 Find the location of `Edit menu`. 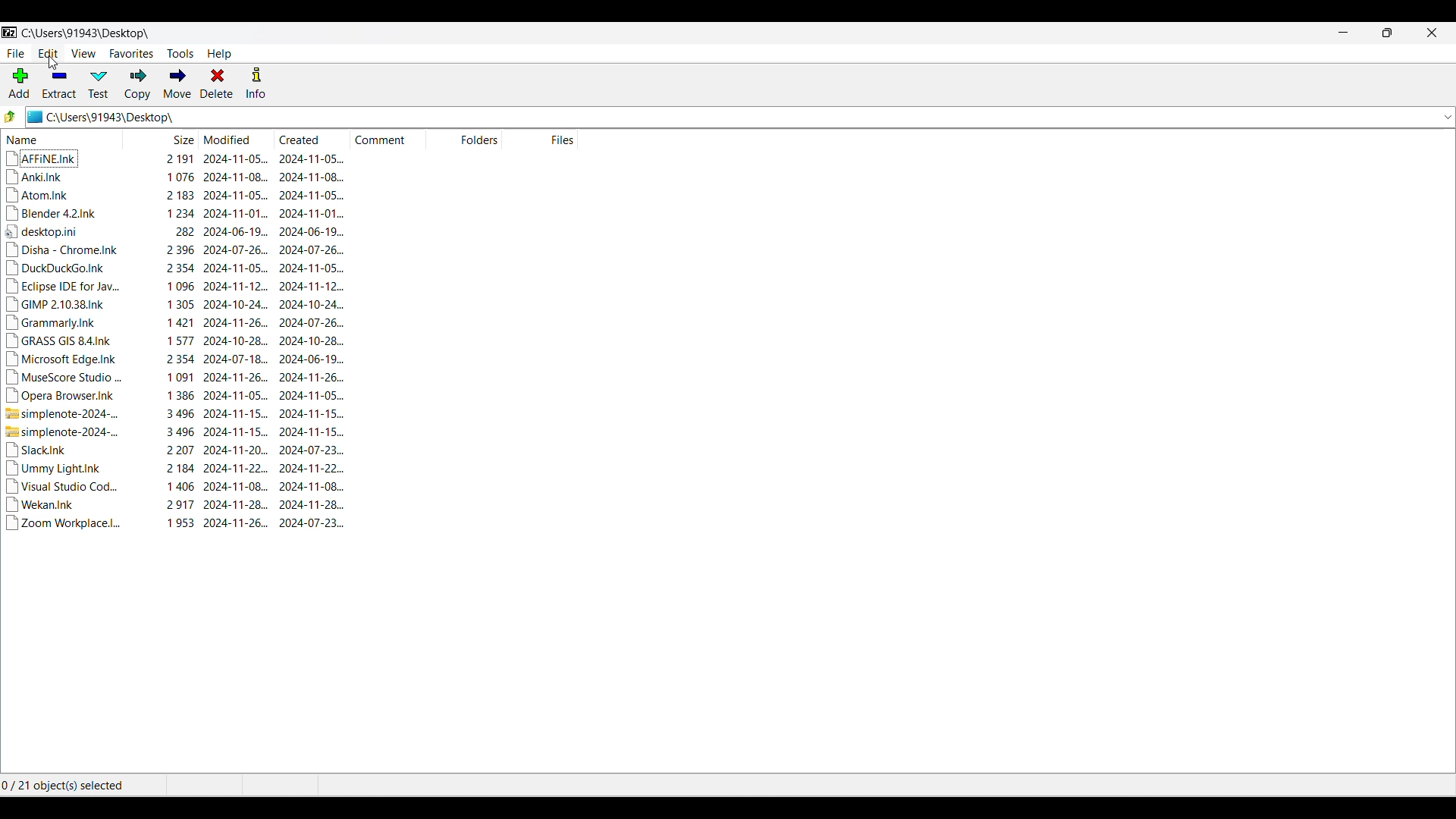

Edit menu is located at coordinates (49, 54).